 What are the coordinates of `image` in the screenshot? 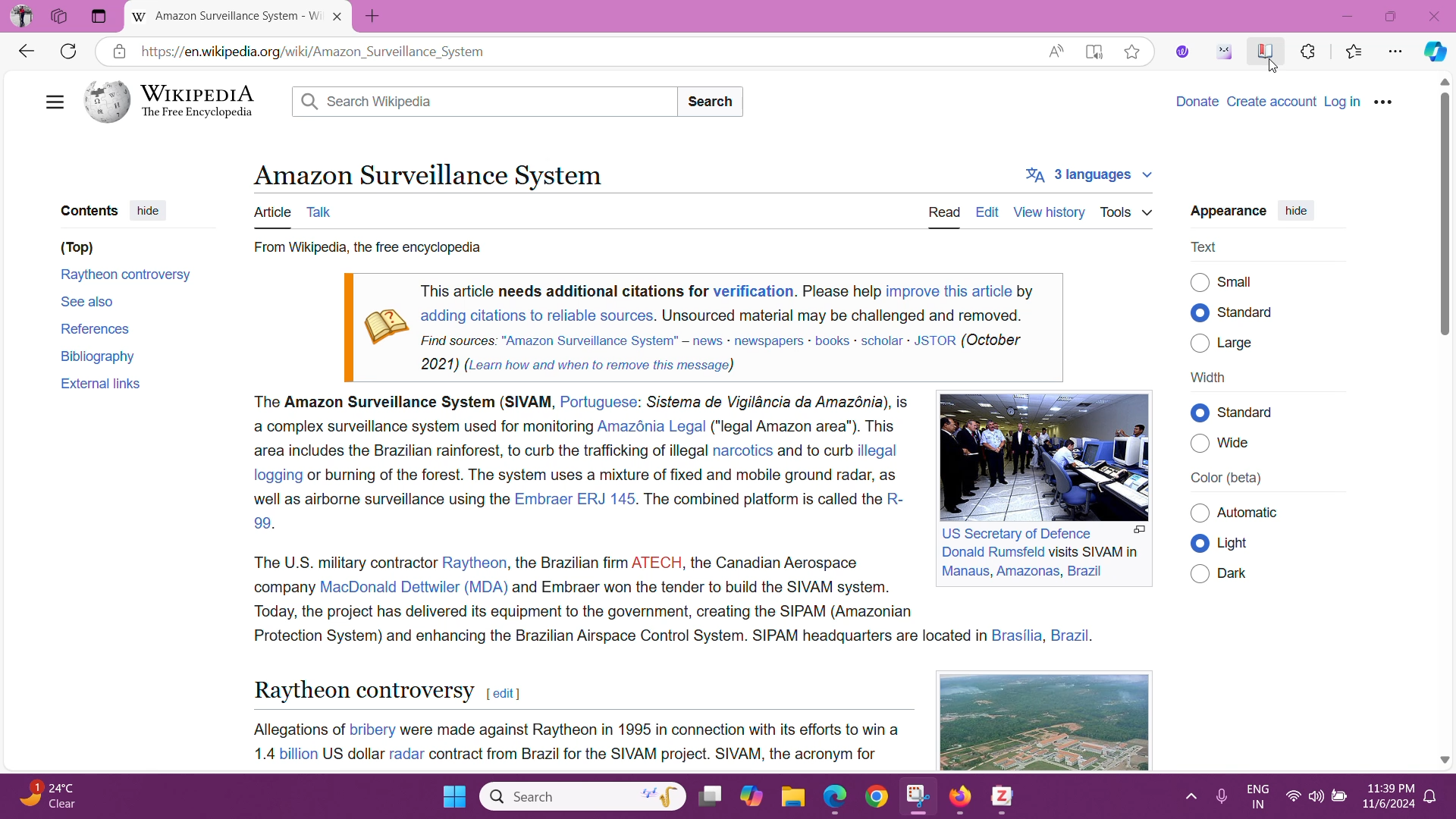 It's located at (1037, 455).